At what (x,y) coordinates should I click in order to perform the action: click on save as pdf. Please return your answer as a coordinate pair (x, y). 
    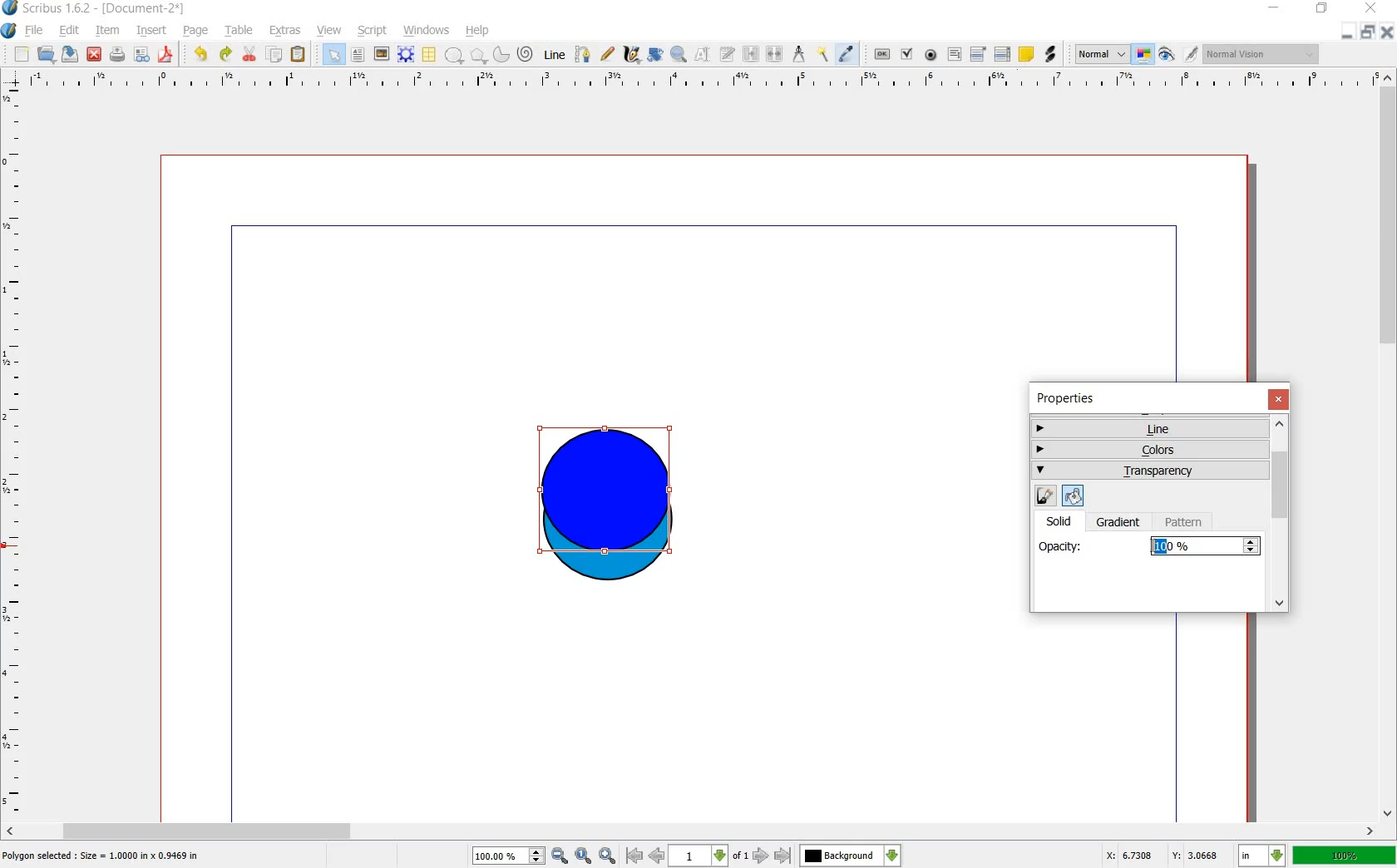
    Looking at the image, I should click on (165, 55).